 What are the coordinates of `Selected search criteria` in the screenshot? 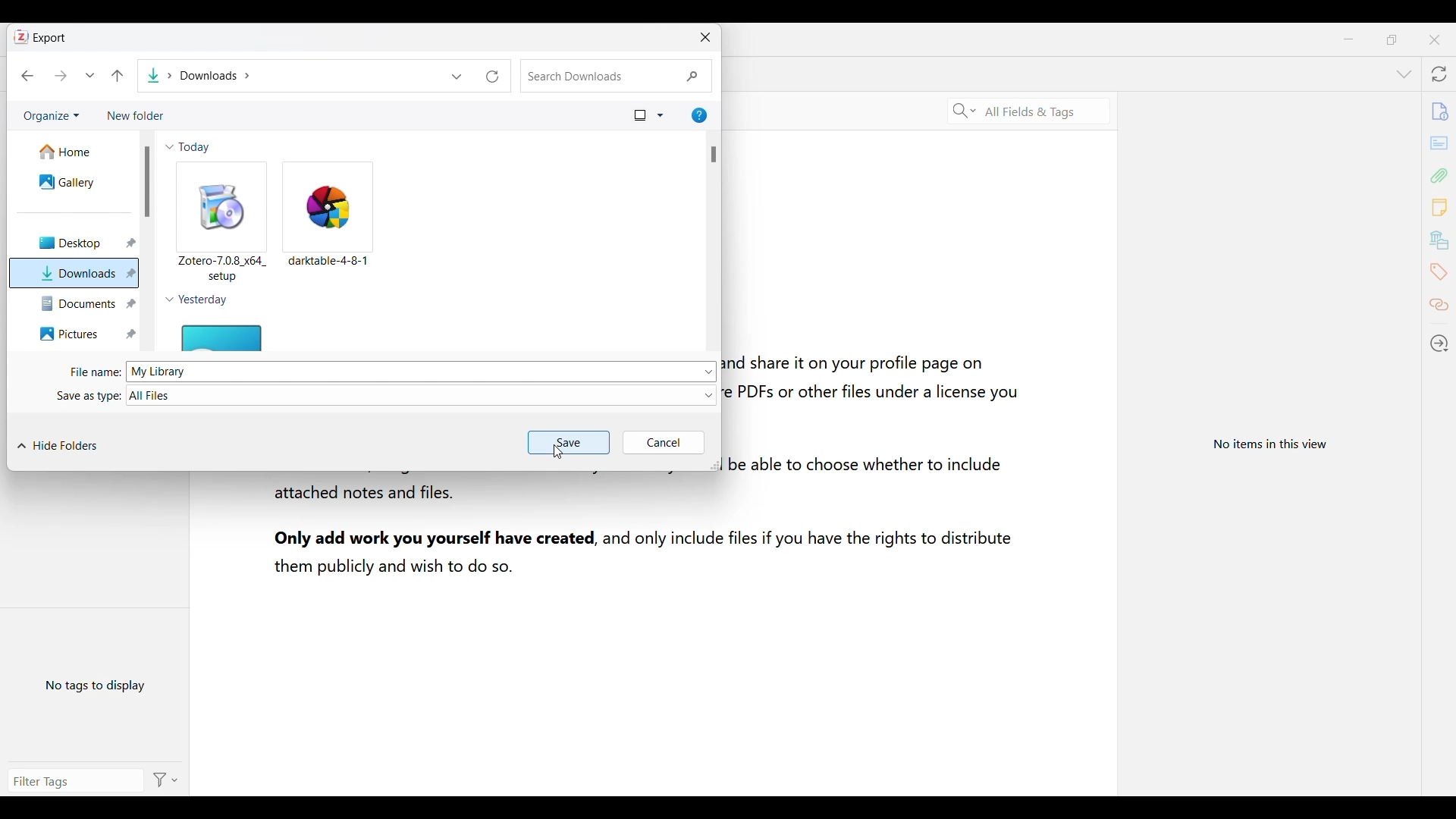 It's located at (1031, 112).